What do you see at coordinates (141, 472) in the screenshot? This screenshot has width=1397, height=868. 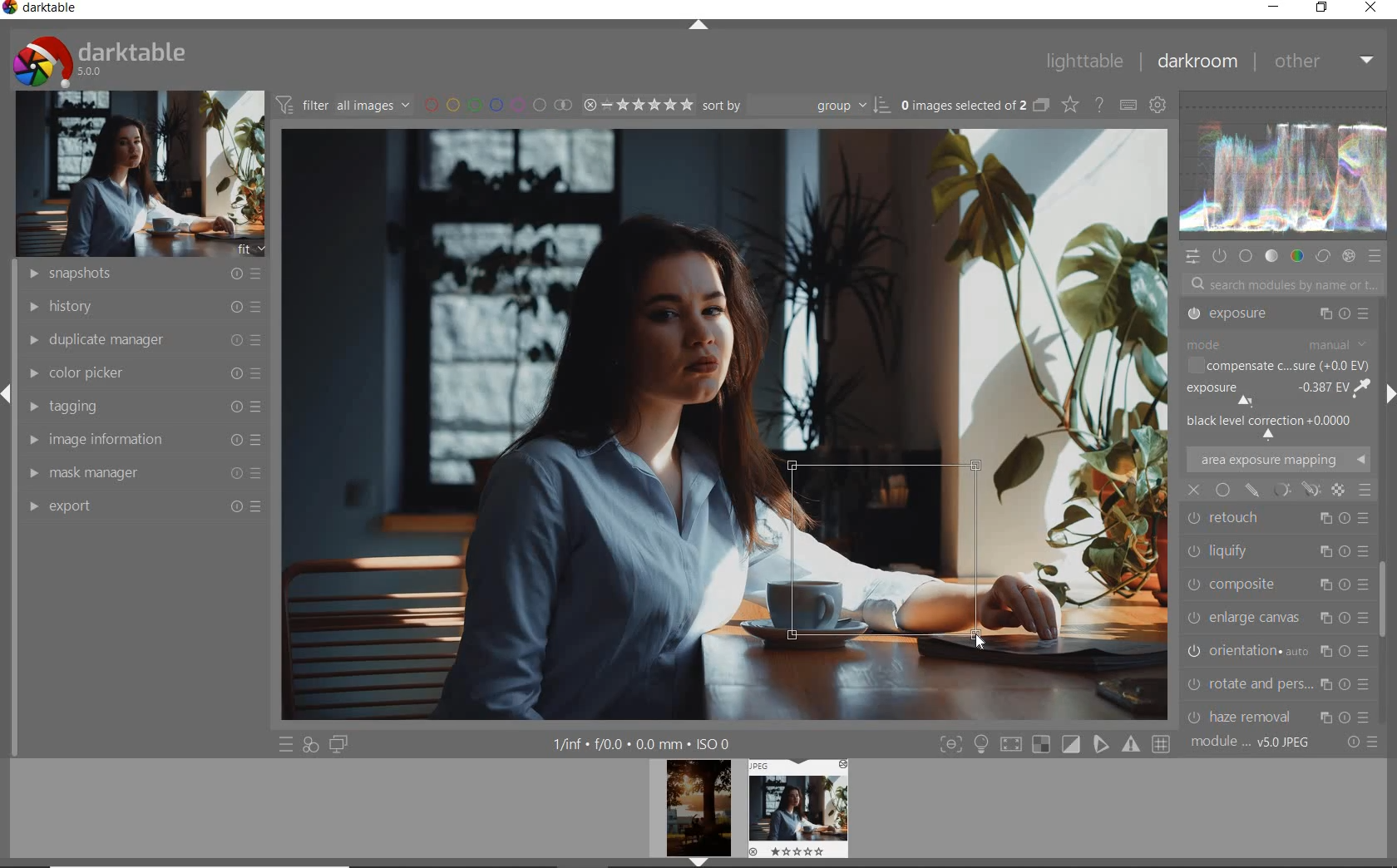 I see `MASK MANAGER` at bounding box center [141, 472].